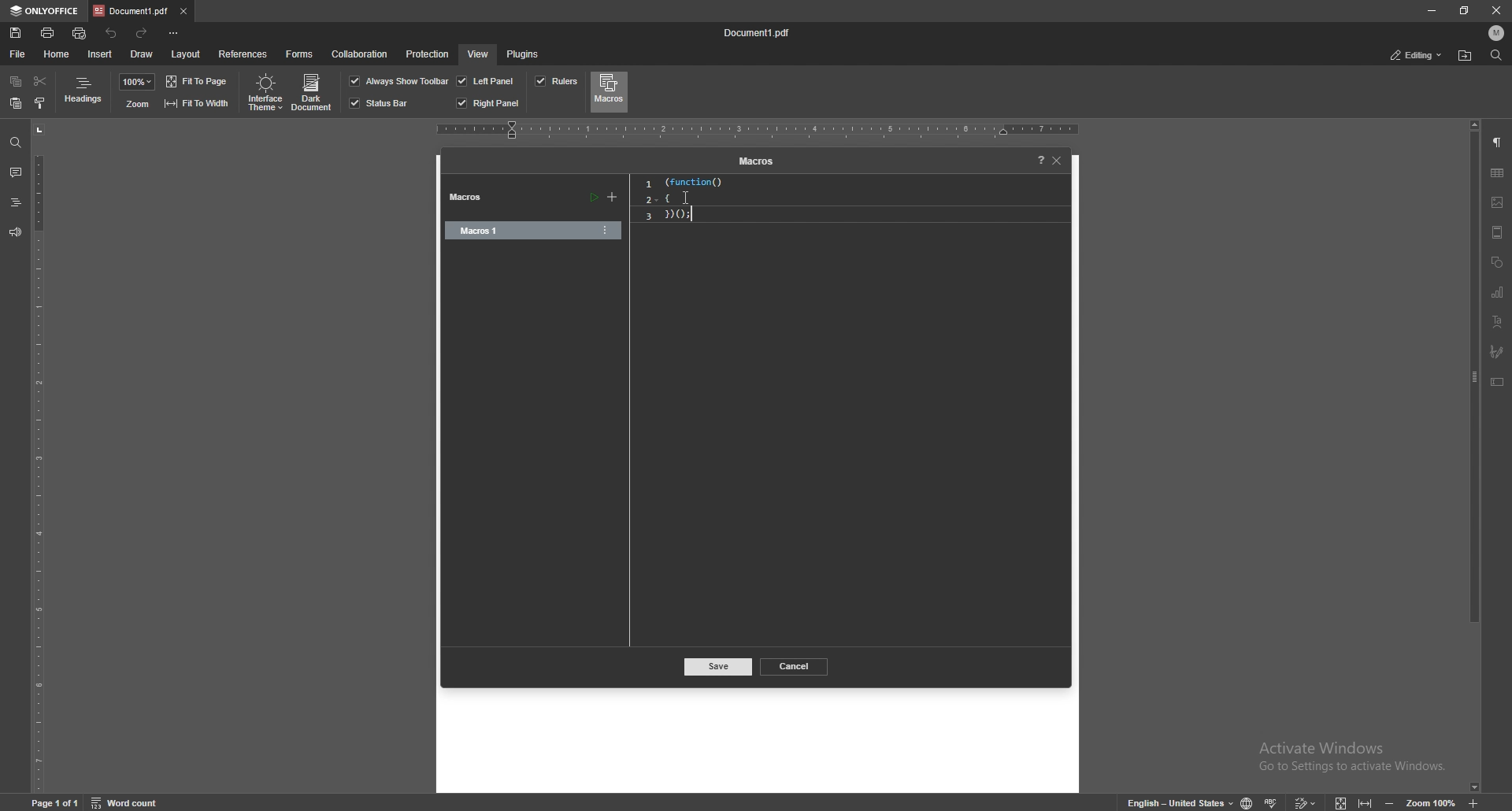  Describe the element at coordinates (16, 83) in the screenshot. I see `copy` at that location.